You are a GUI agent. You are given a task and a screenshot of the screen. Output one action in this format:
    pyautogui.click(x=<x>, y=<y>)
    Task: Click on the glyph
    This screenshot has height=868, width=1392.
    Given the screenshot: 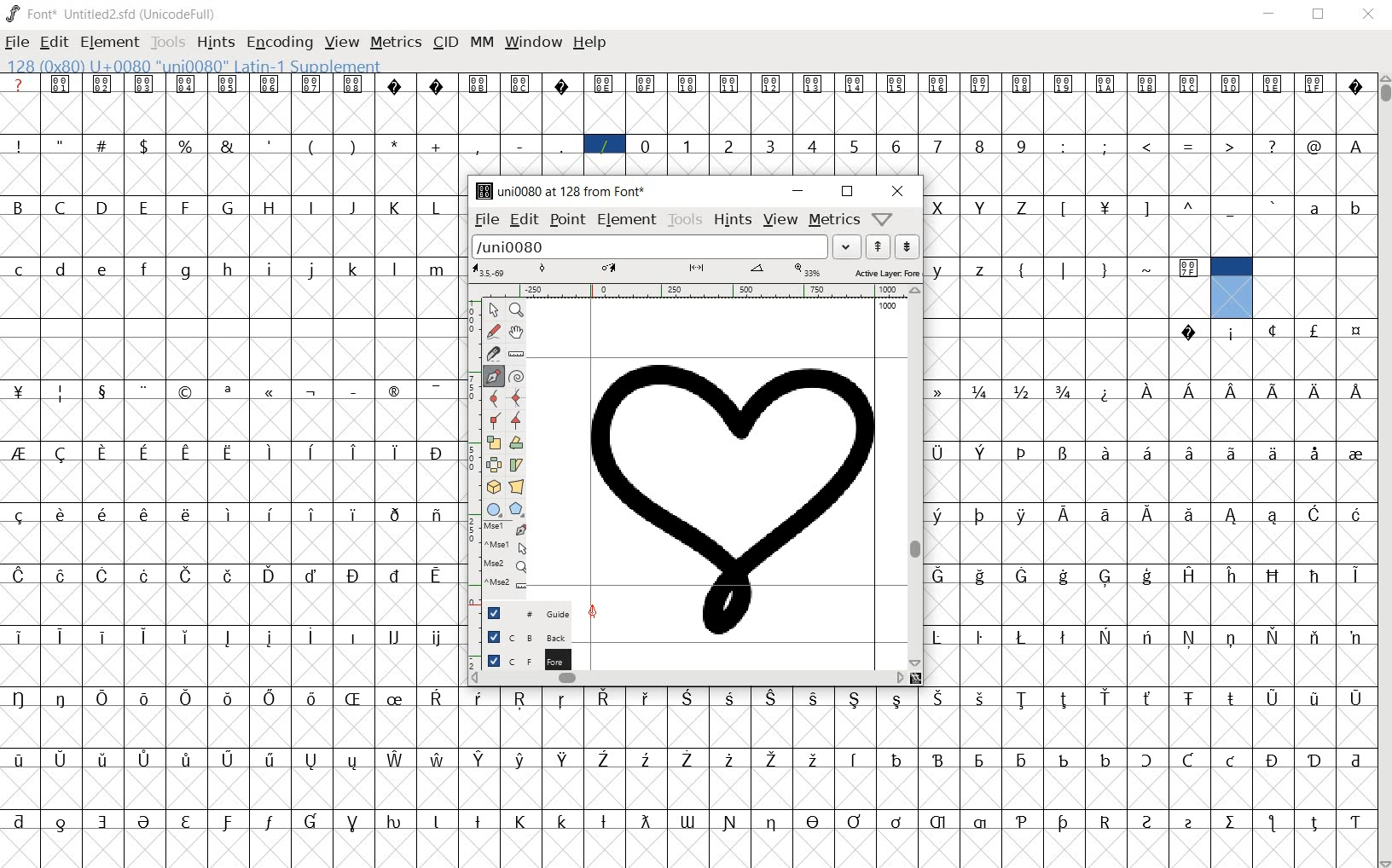 What is the action you would take?
    pyautogui.click(x=936, y=516)
    